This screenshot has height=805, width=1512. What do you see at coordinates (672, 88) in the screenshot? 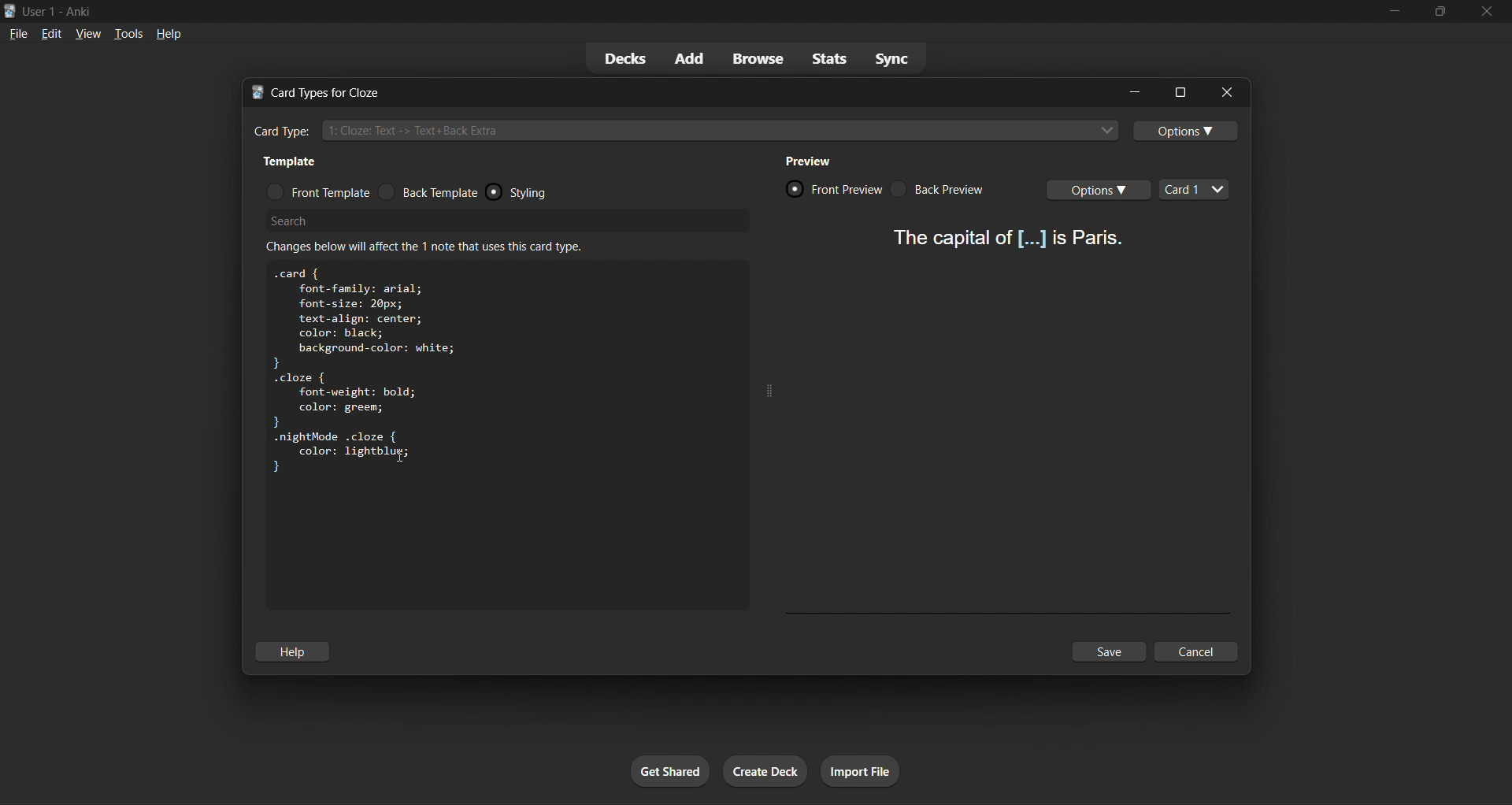
I see `title bar` at bounding box center [672, 88].